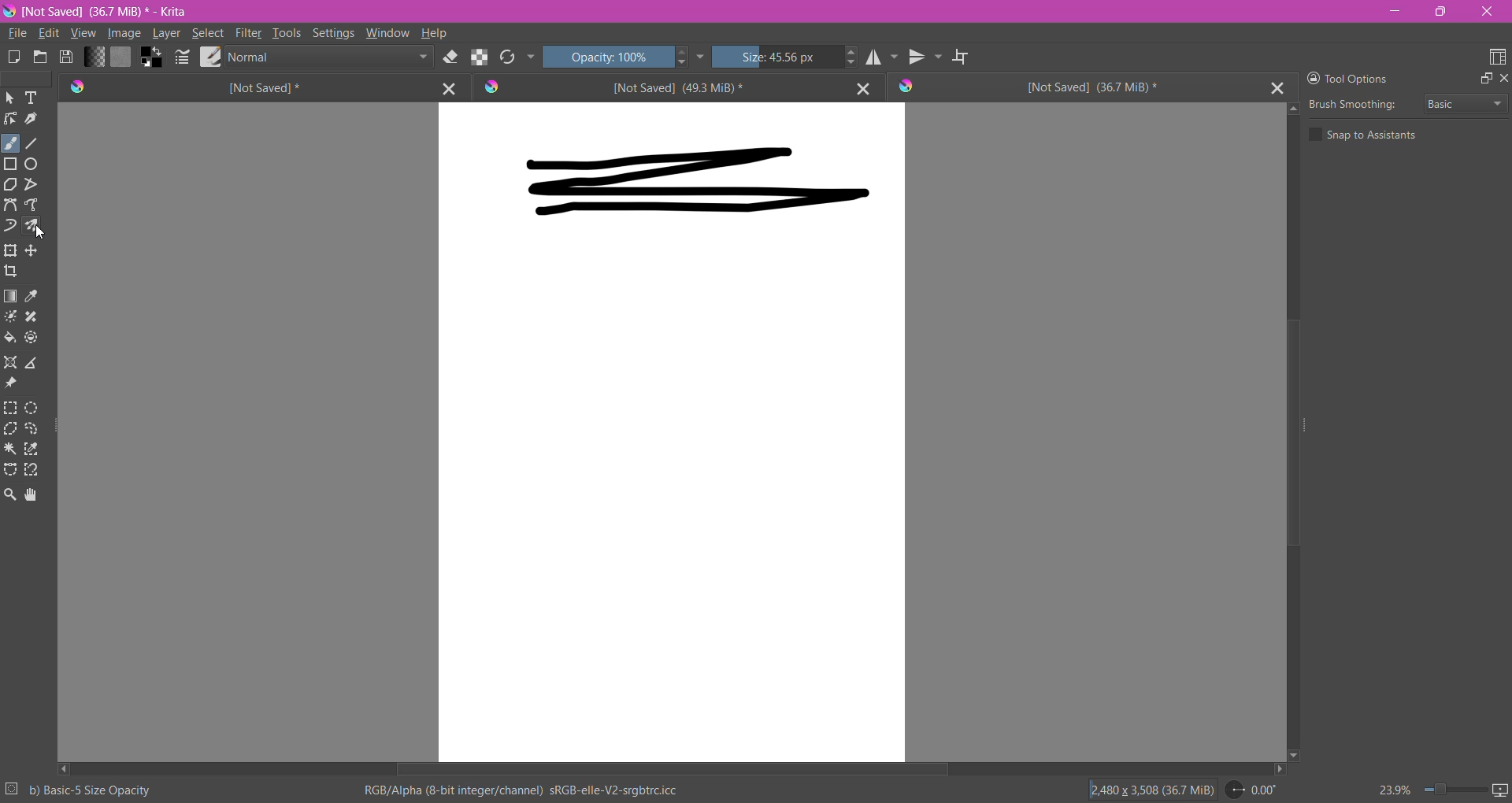  What do you see at coordinates (328, 57) in the screenshot?
I see `Blending Mode` at bounding box center [328, 57].